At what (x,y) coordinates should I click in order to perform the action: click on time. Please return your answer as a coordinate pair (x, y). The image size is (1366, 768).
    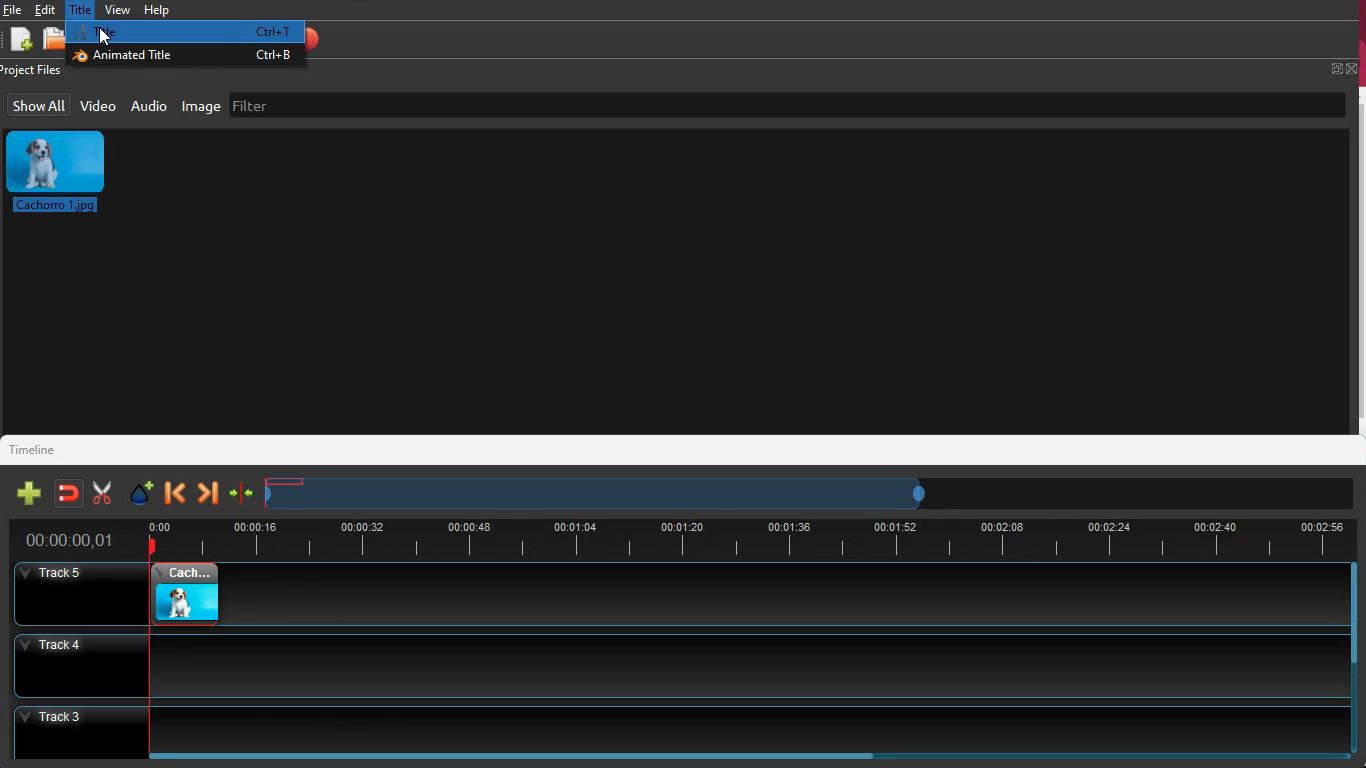
    Looking at the image, I should click on (747, 537).